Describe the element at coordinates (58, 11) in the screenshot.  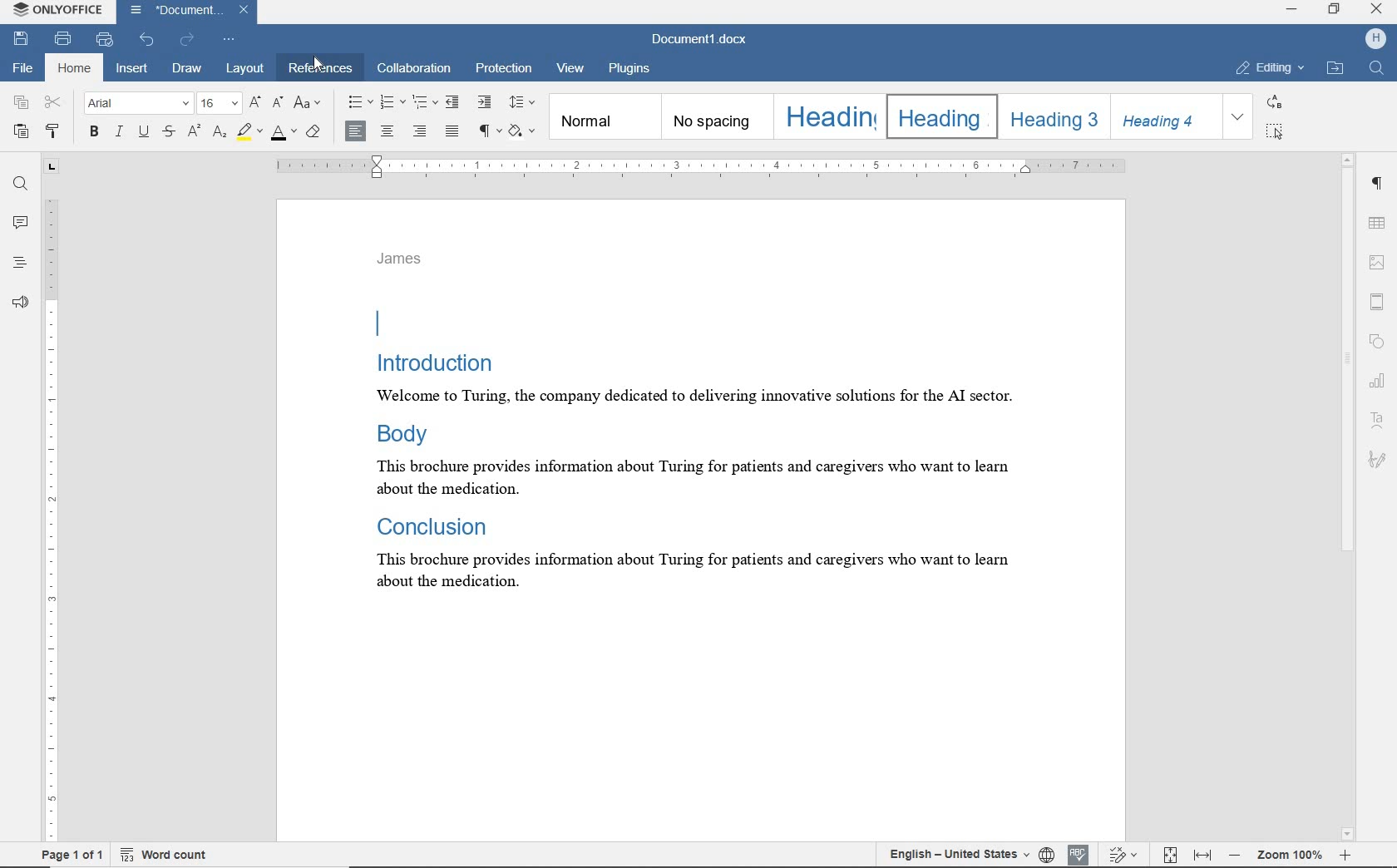
I see `system name` at that location.